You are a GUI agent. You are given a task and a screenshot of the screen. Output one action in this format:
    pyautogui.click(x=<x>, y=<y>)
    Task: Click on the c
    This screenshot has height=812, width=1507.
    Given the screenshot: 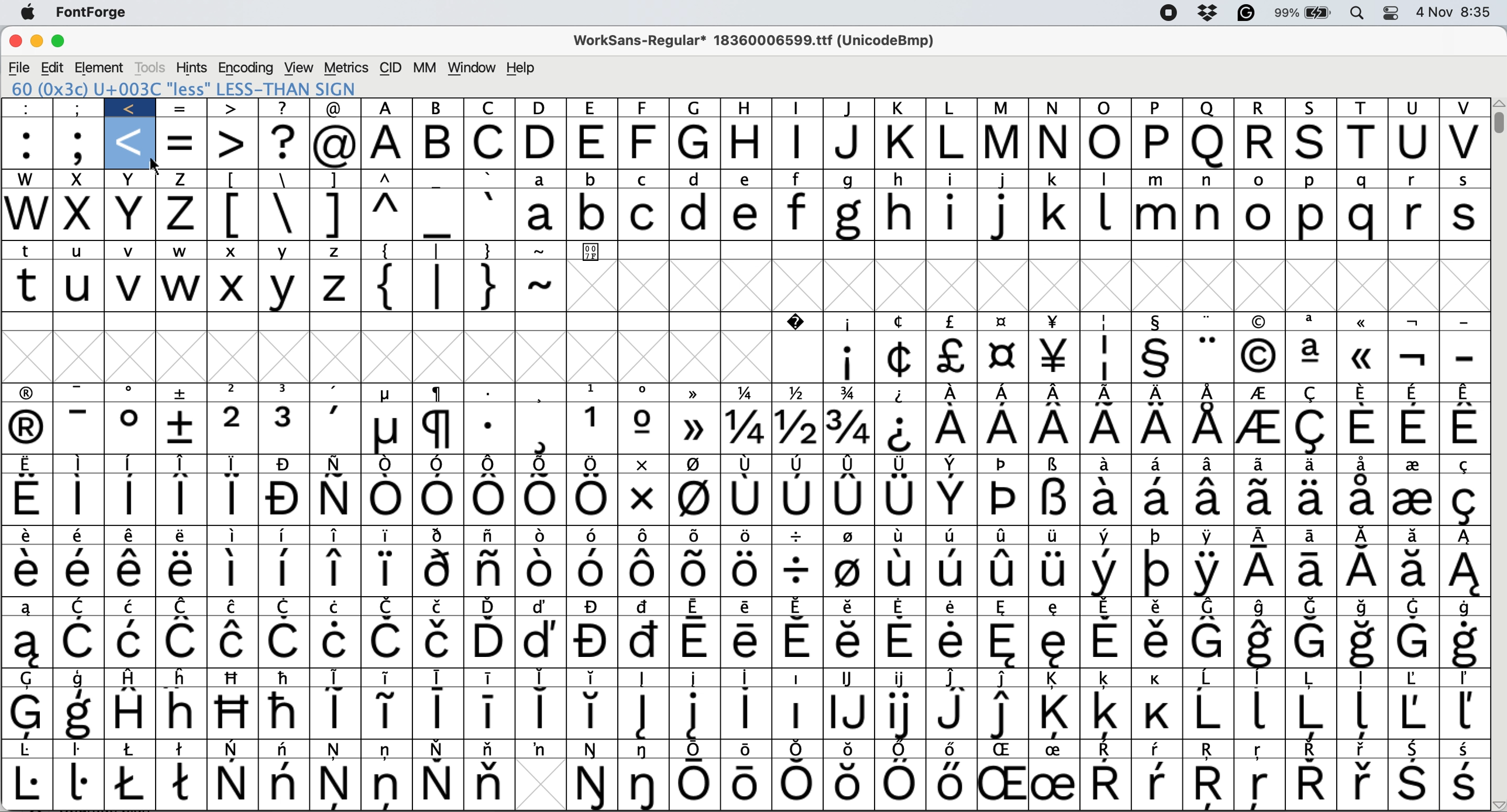 What is the action you would take?
    pyautogui.click(x=492, y=143)
    